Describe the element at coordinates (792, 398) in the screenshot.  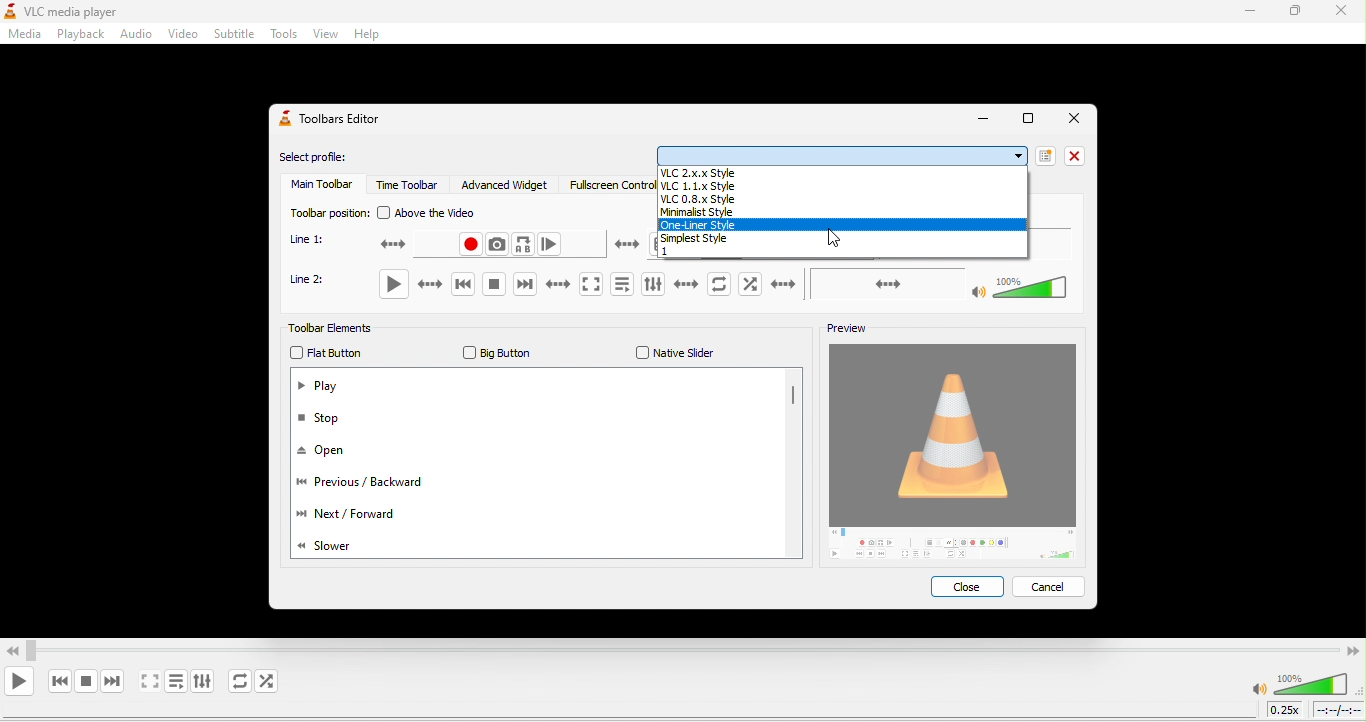
I see `vertical scroll bar` at that location.